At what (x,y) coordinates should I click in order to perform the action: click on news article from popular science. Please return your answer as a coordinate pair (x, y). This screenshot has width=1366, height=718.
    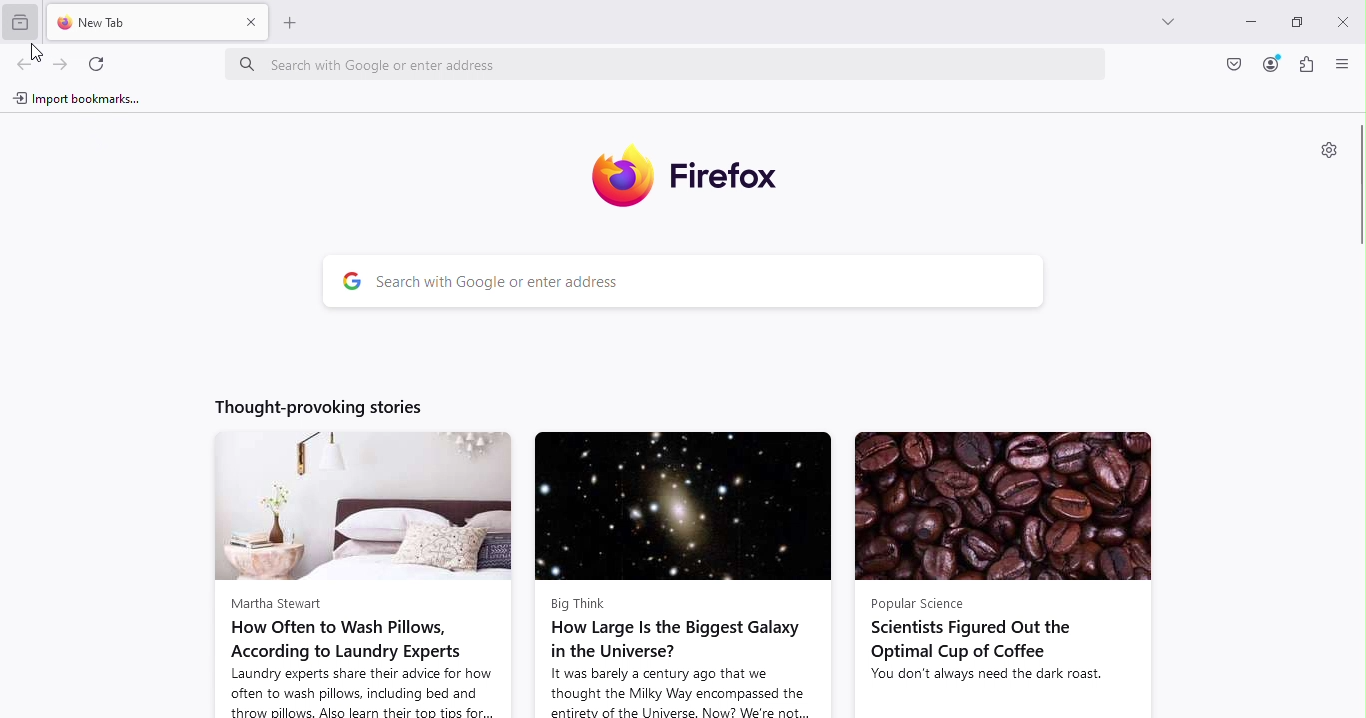
    Looking at the image, I should click on (1008, 574).